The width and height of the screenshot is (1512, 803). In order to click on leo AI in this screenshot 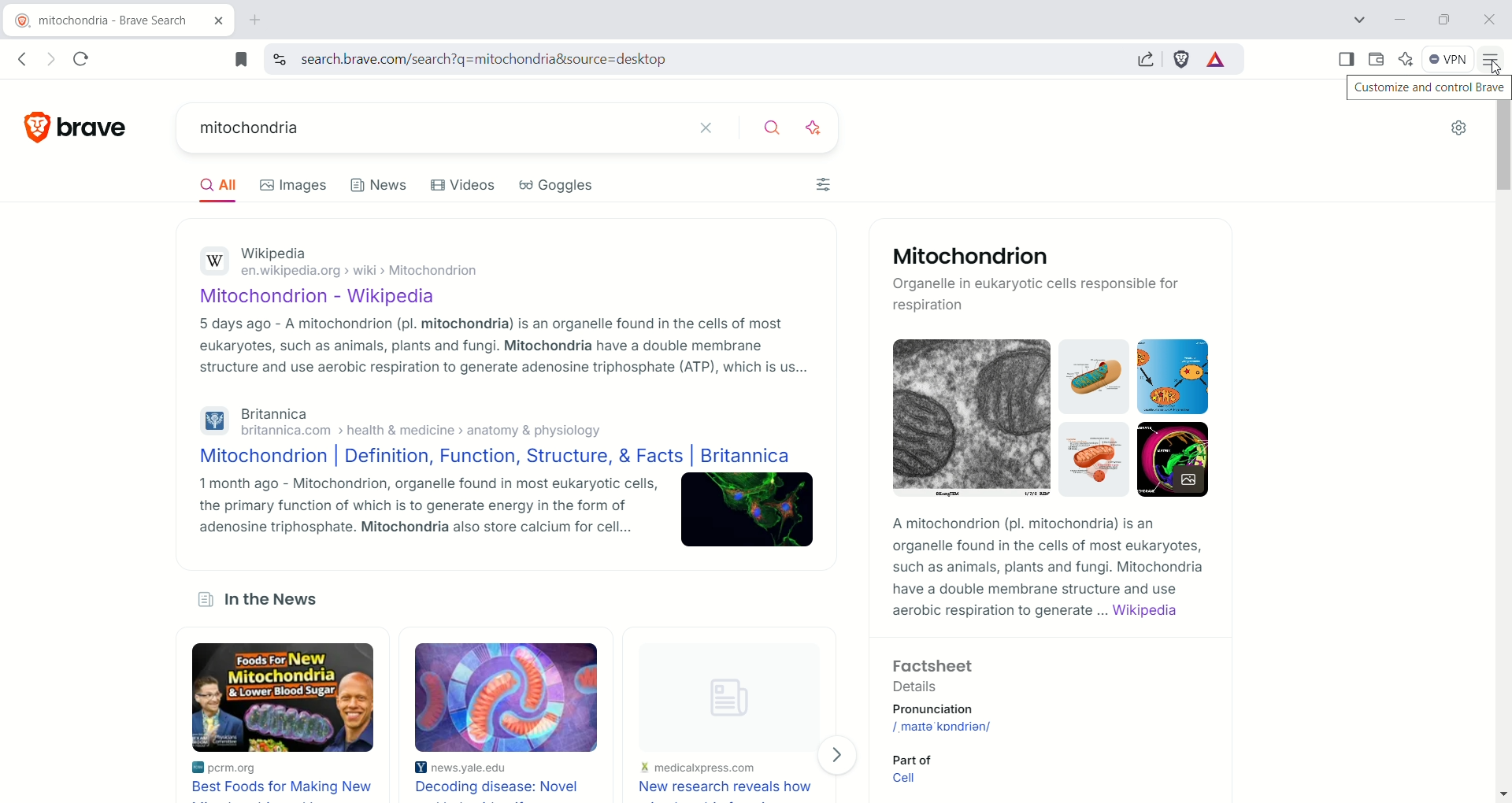, I will do `click(1406, 56)`.